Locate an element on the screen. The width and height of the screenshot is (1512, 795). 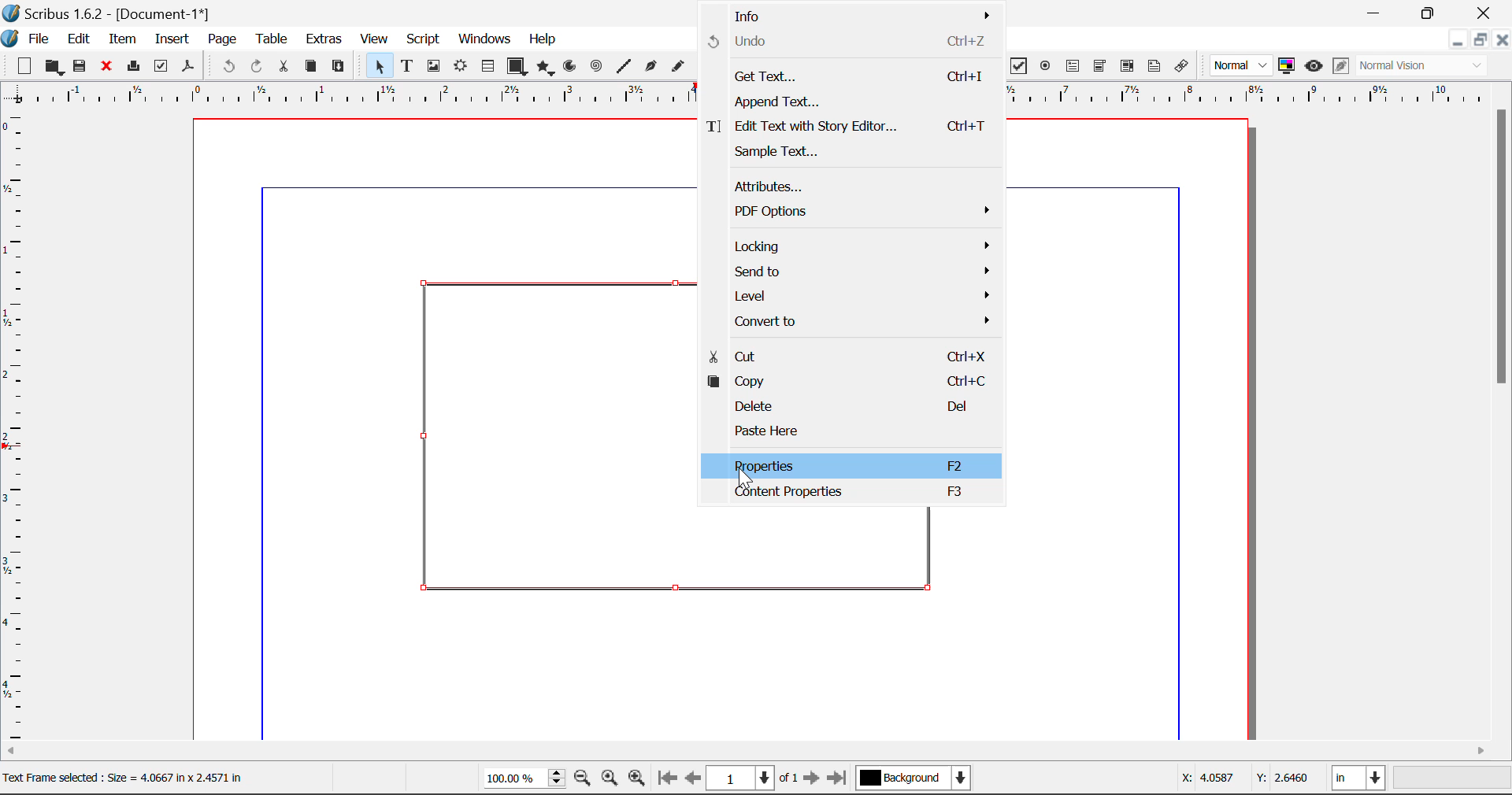
Text Annotation is located at coordinates (1154, 66).